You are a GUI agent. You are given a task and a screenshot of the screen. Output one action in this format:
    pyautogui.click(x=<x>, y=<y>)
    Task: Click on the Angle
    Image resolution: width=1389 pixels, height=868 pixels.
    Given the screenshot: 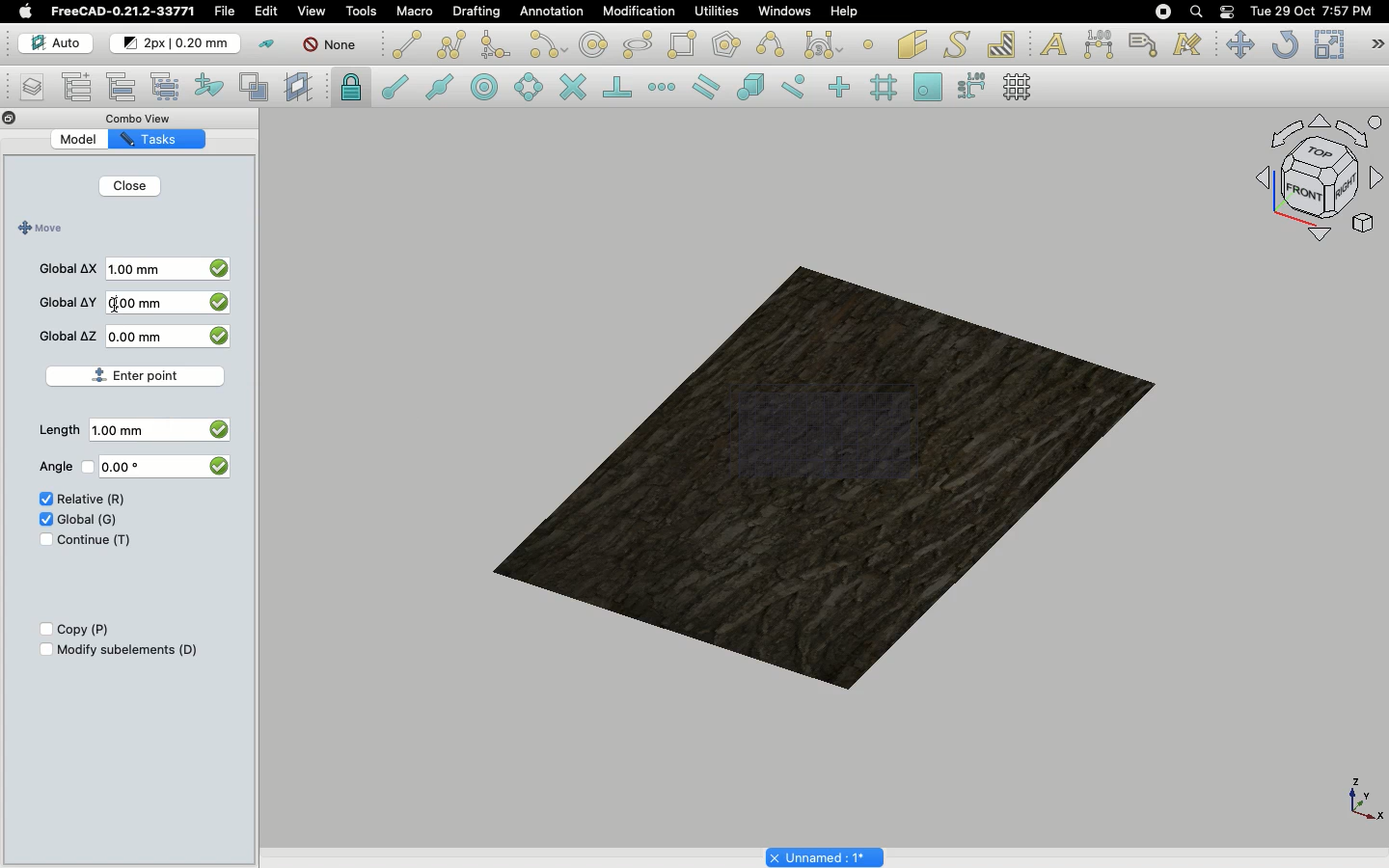 What is the action you would take?
    pyautogui.click(x=52, y=467)
    